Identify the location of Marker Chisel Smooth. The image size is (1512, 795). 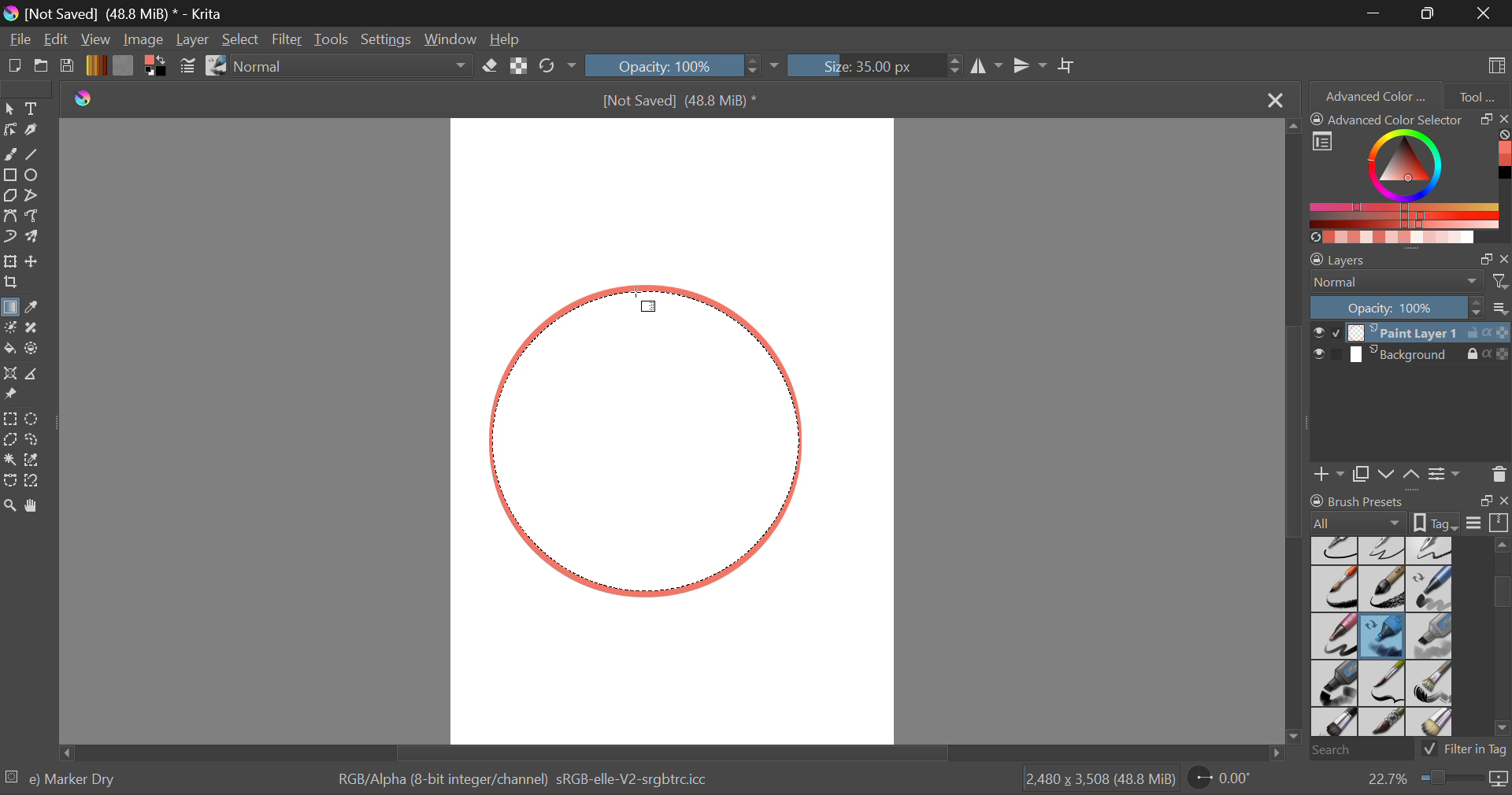
(1430, 588).